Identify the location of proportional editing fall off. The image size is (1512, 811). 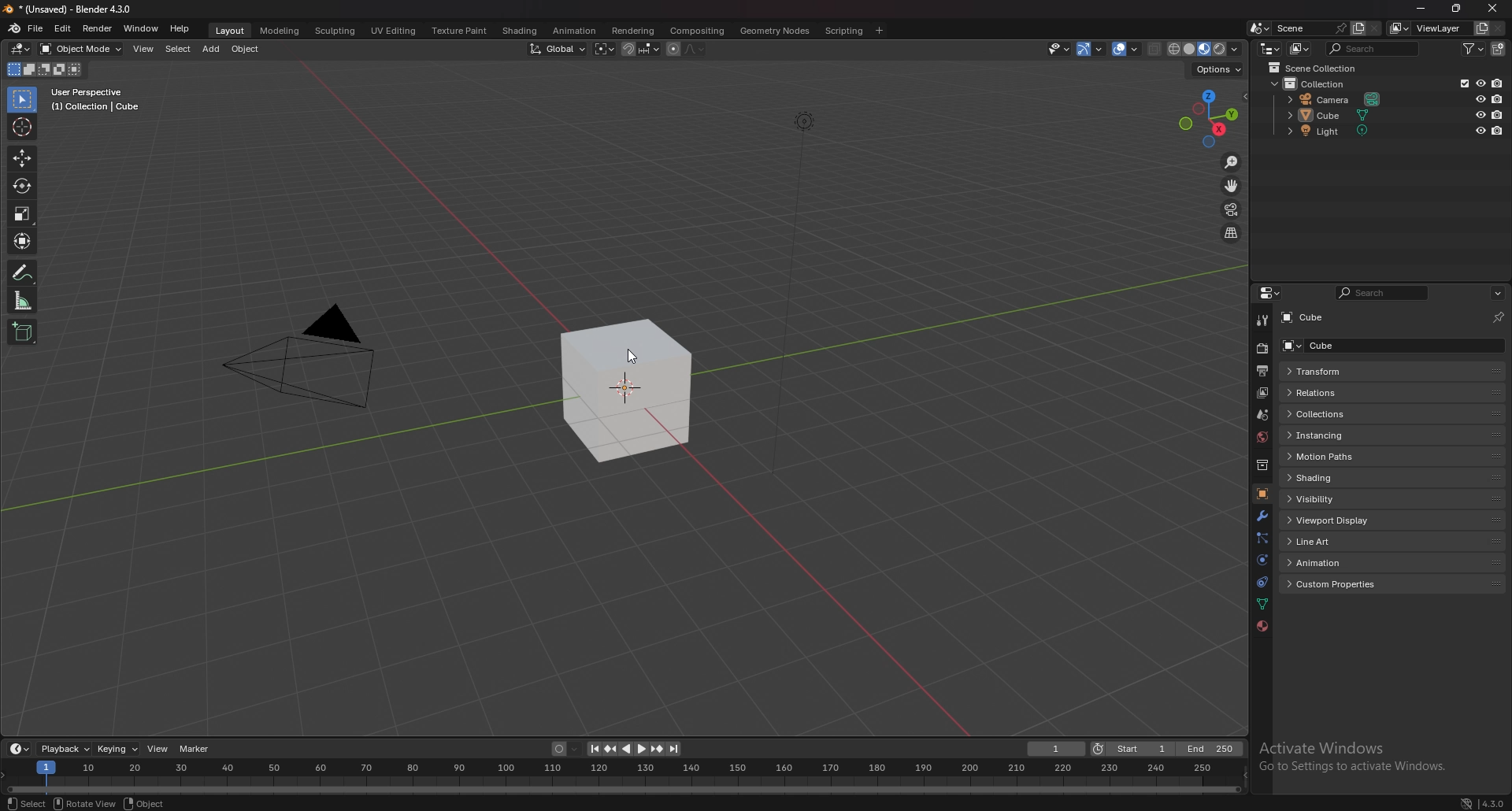
(695, 49).